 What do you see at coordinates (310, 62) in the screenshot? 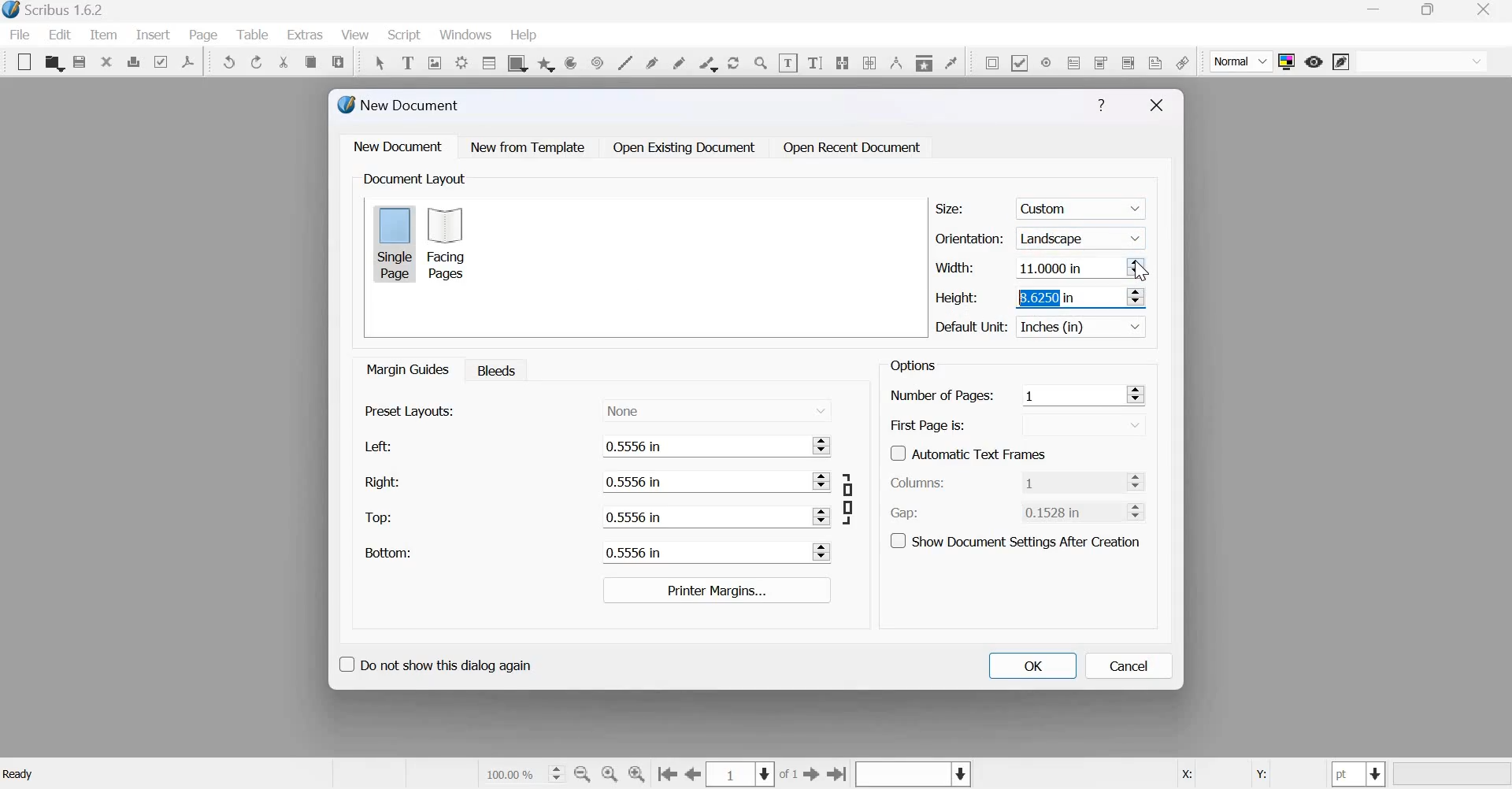
I see `copy` at bounding box center [310, 62].